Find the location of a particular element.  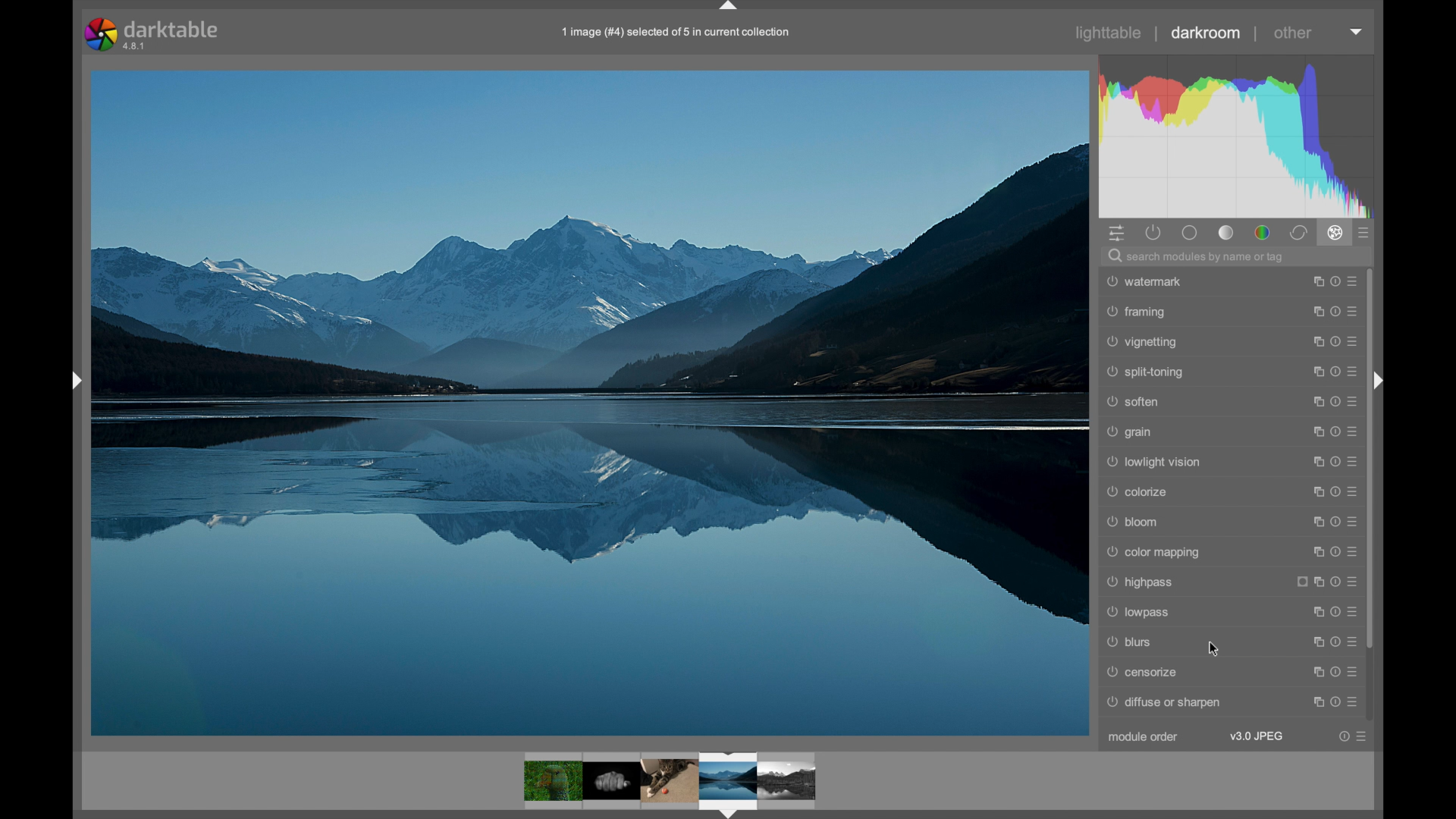

maximize is located at coordinates (1315, 553).